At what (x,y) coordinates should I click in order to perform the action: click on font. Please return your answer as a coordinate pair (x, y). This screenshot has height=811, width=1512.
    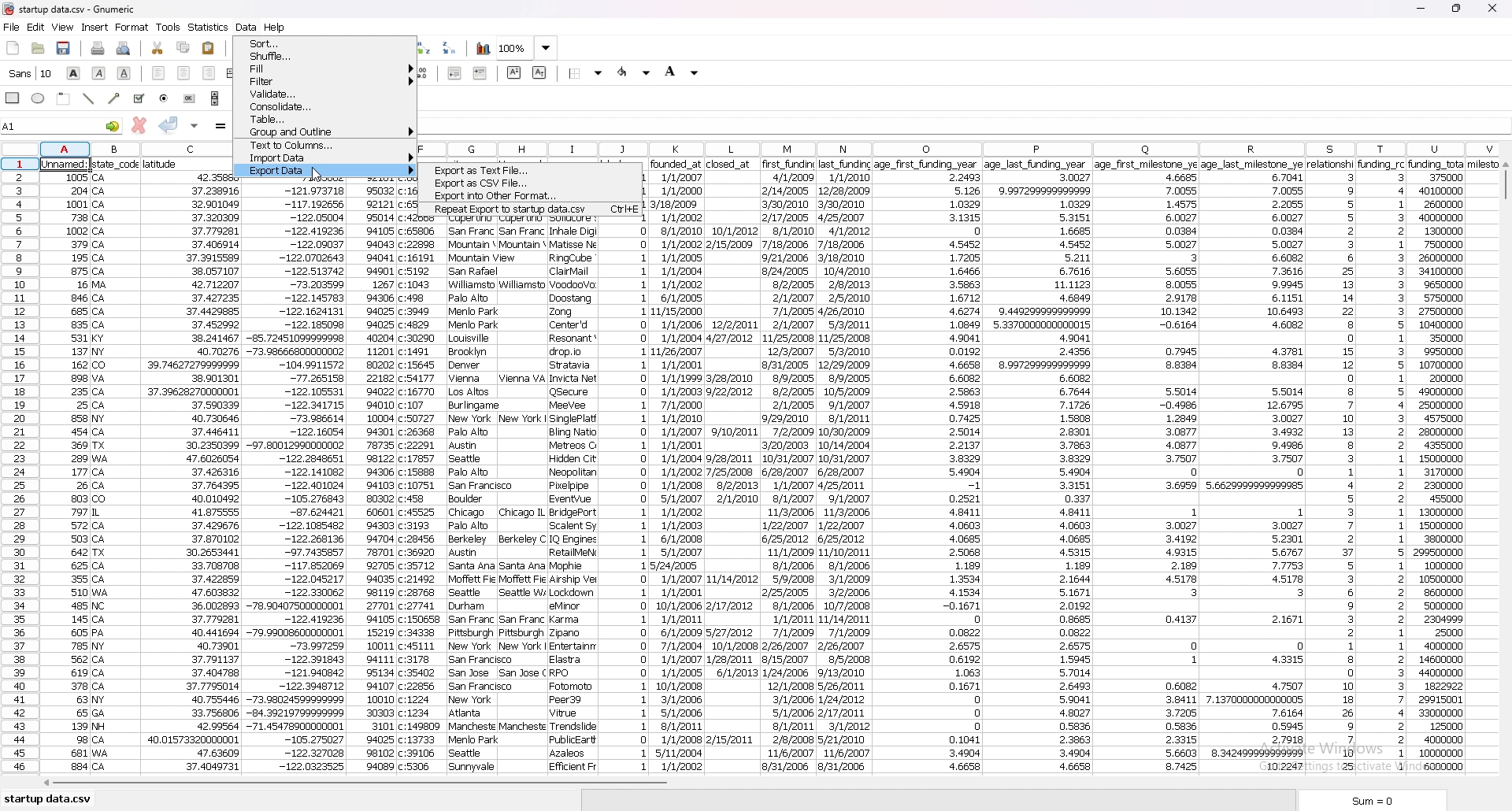
    Looking at the image, I should click on (31, 73).